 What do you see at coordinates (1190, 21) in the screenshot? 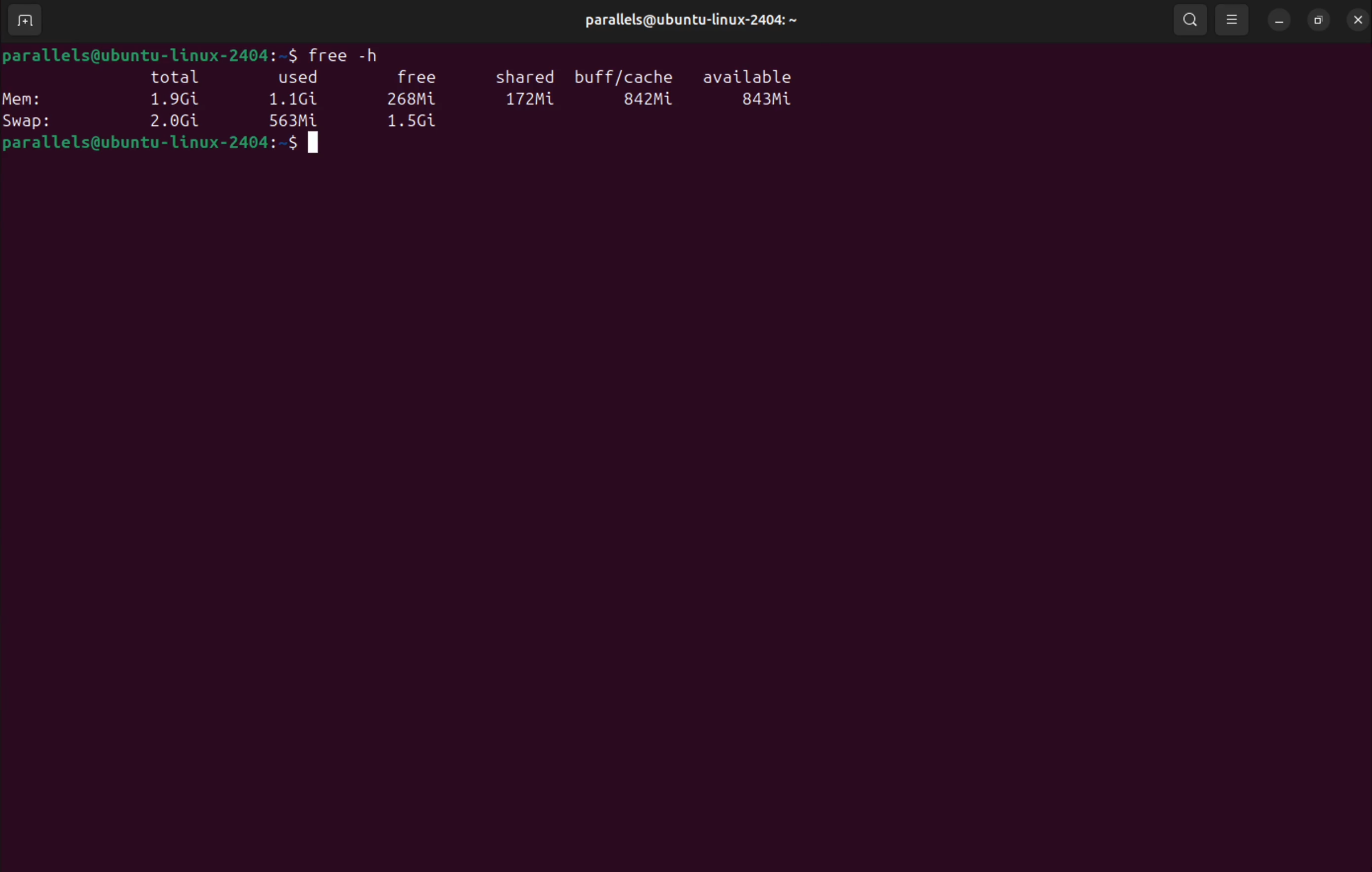
I see `search` at bounding box center [1190, 21].